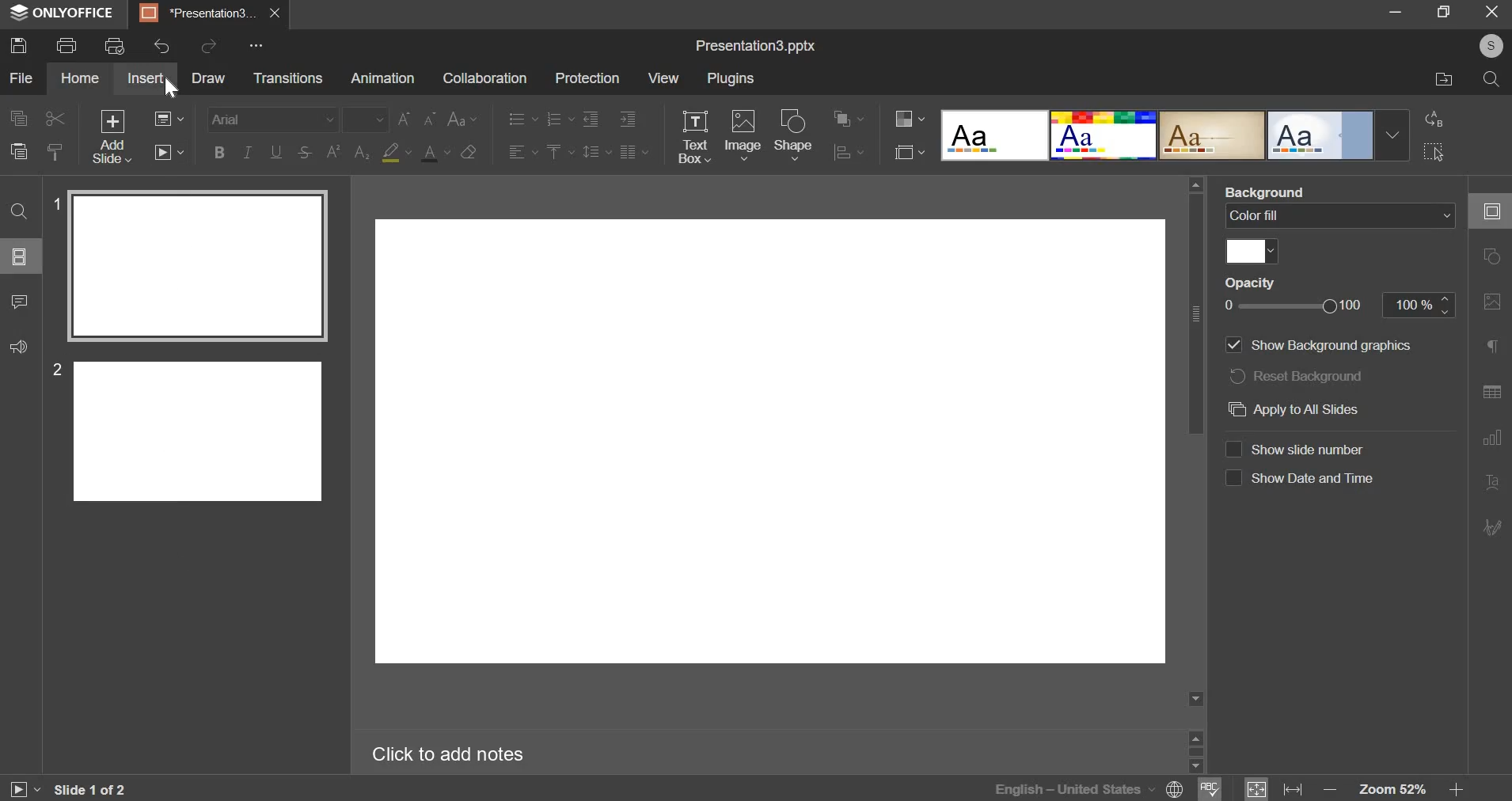 The image size is (1512, 801). I want to click on italic, so click(247, 152).